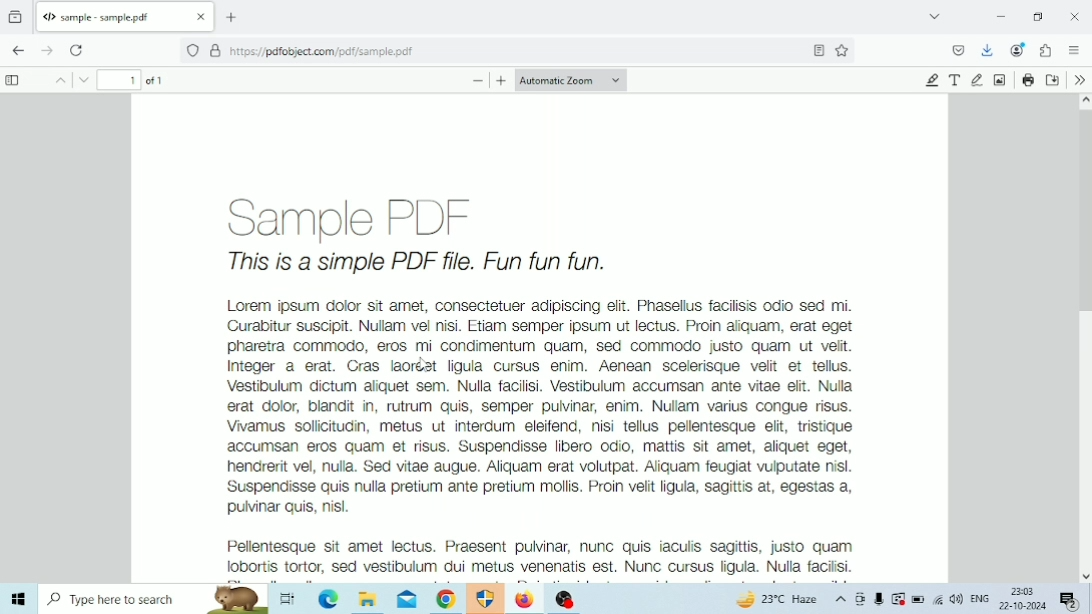 This screenshot has width=1092, height=614. Describe the element at coordinates (1070, 601) in the screenshot. I see `Notifications` at that location.